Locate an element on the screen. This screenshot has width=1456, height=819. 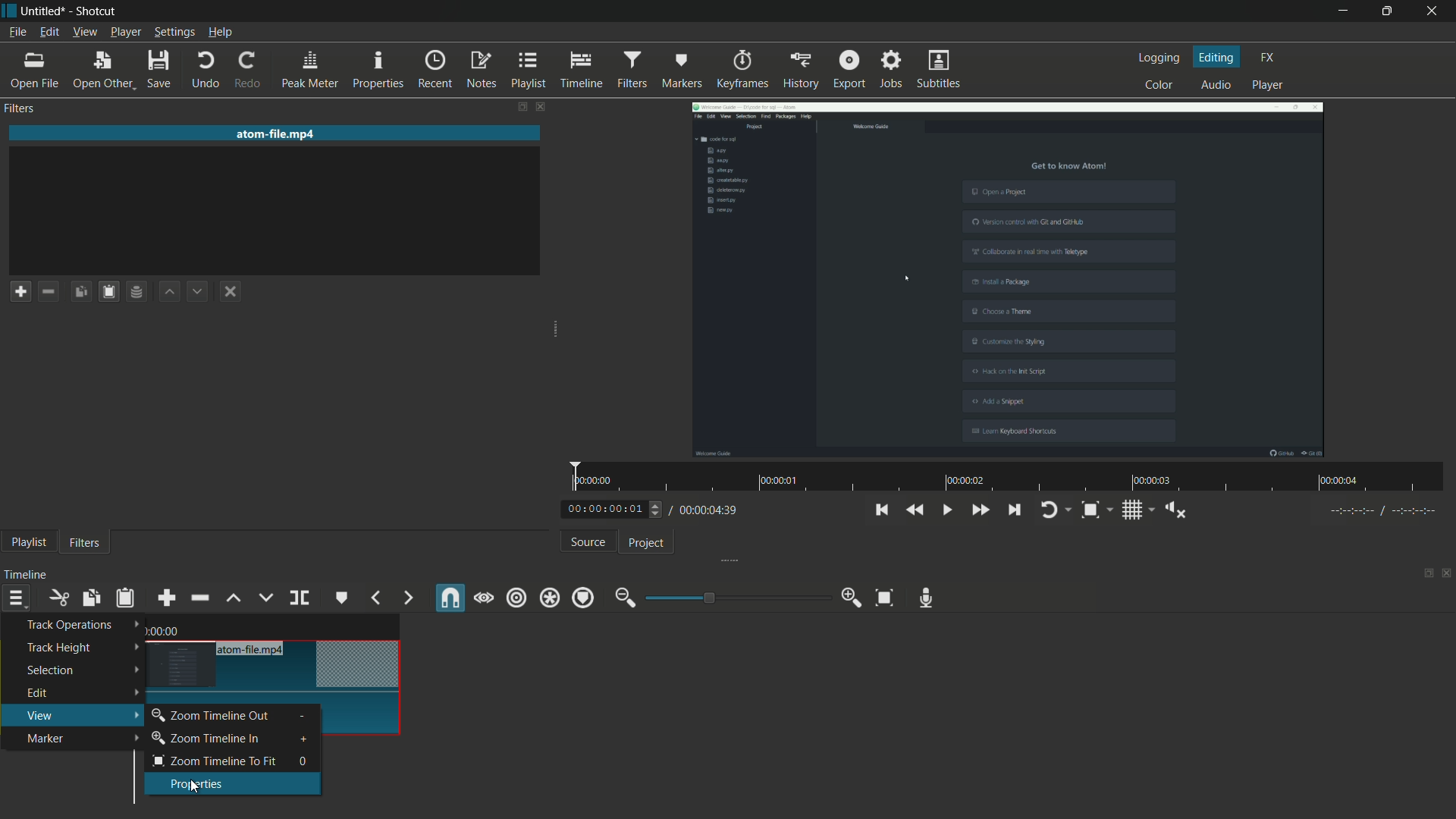
properties is located at coordinates (378, 67).